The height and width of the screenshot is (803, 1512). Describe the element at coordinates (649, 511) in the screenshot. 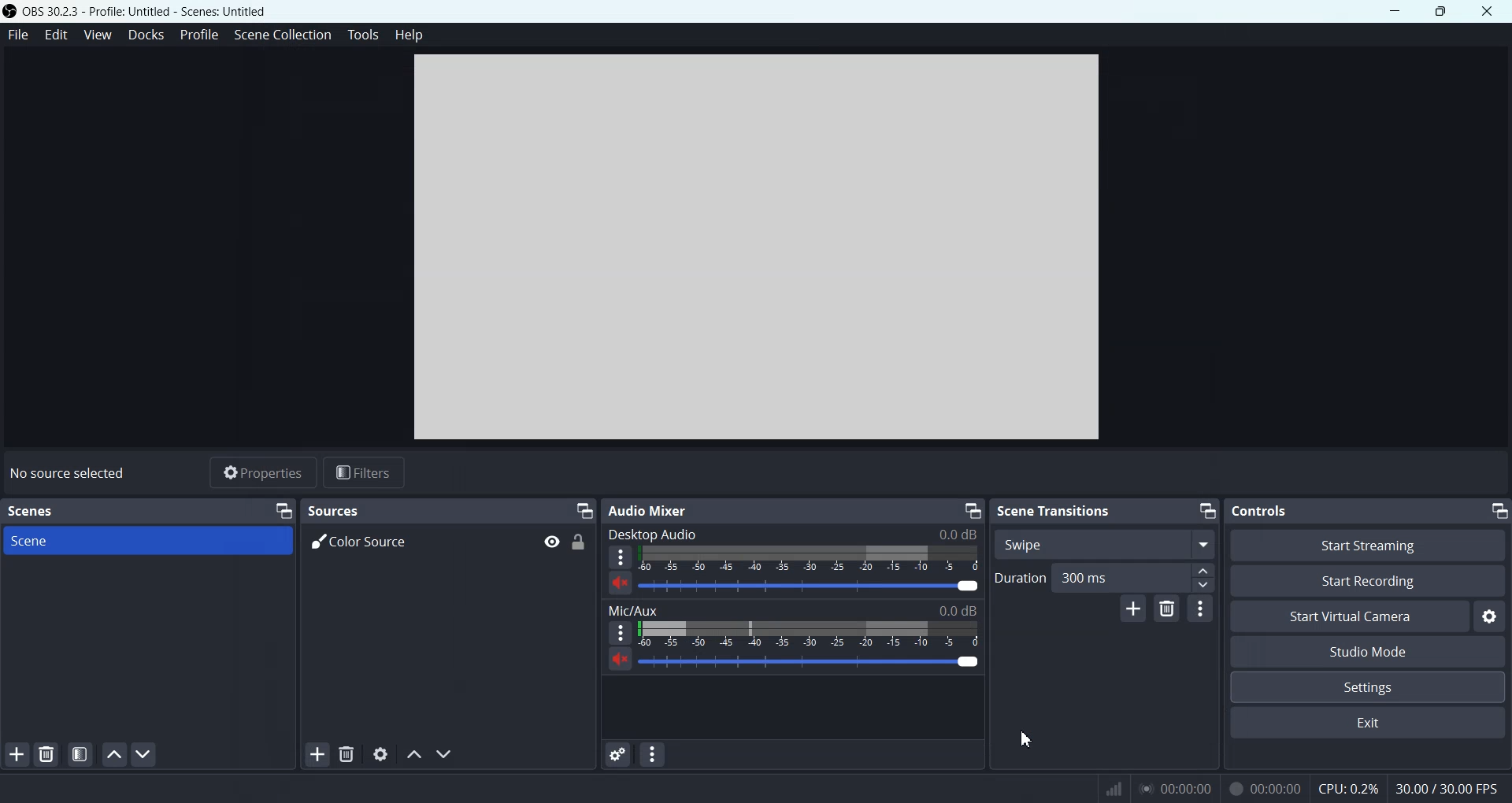

I see `Text` at that location.